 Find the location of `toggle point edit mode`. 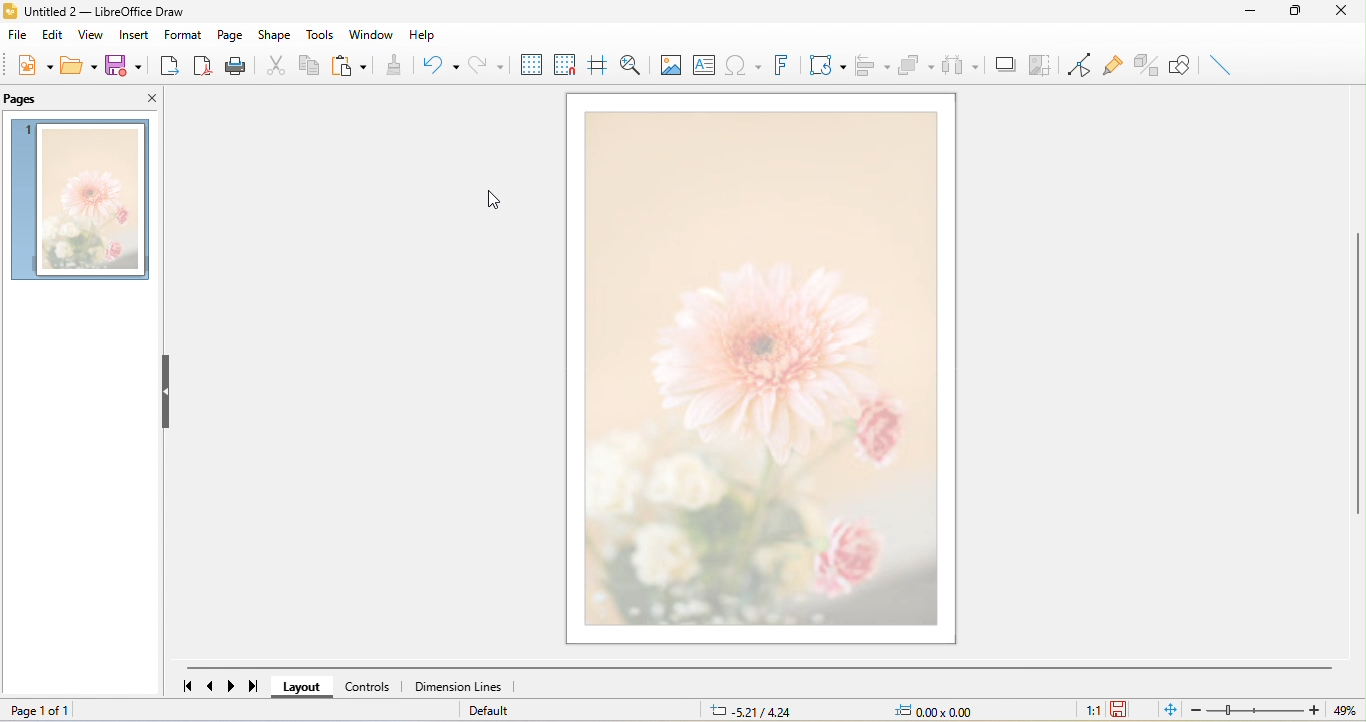

toggle point edit mode is located at coordinates (1076, 65).